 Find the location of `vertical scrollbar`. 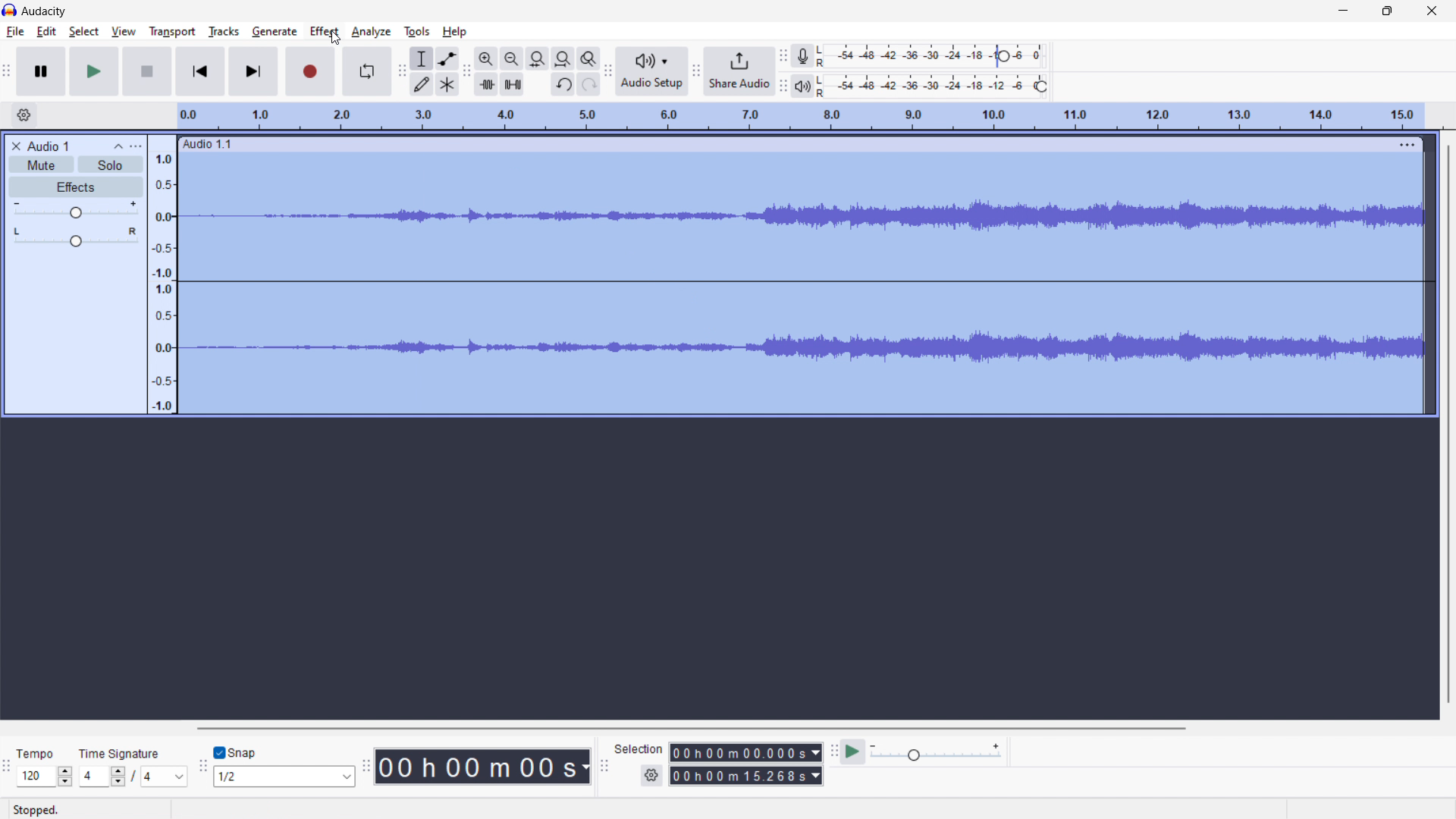

vertical scrollbar is located at coordinates (1450, 424).